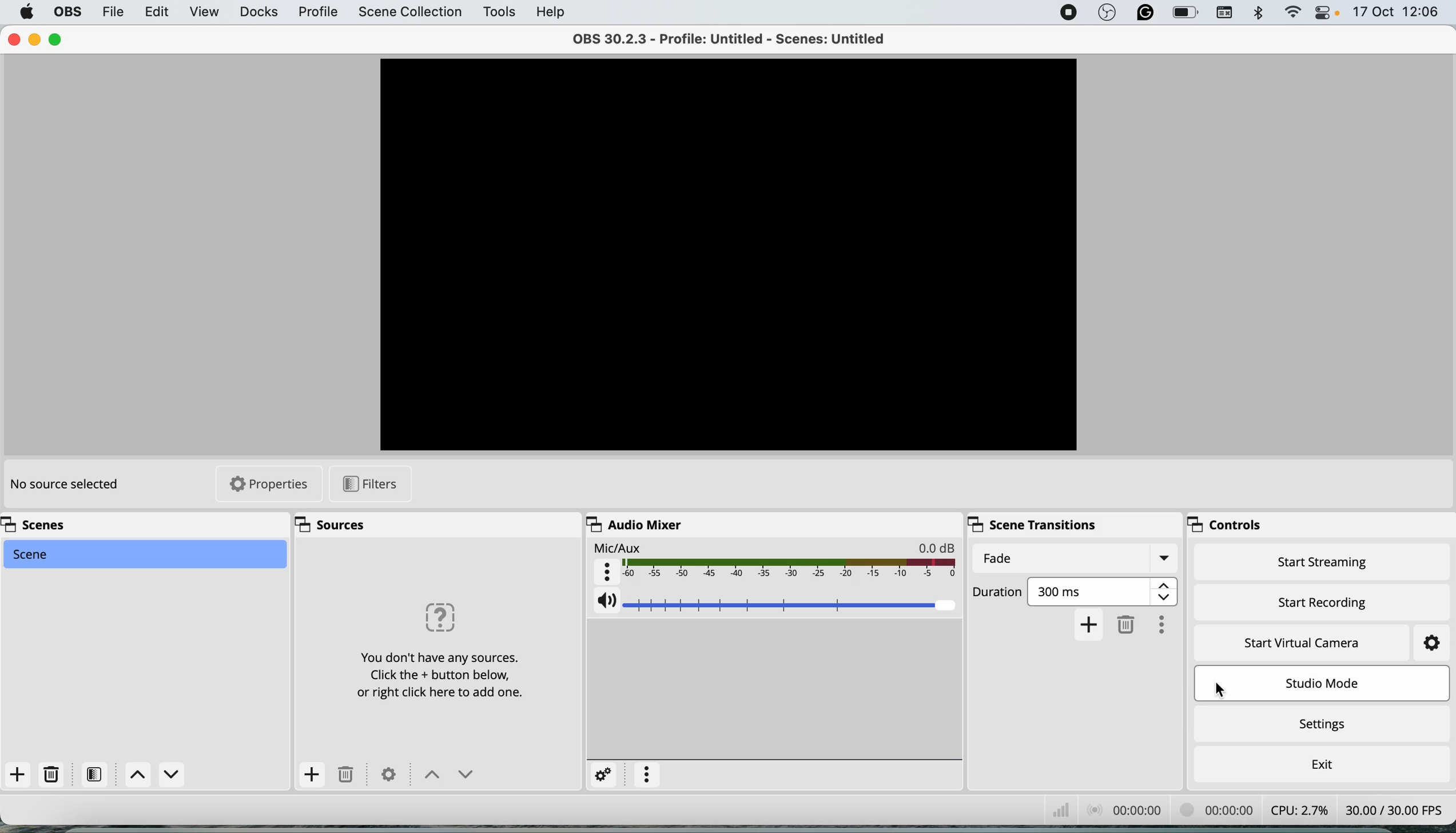 The image size is (1456, 833). I want to click on add transition, so click(1091, 624).